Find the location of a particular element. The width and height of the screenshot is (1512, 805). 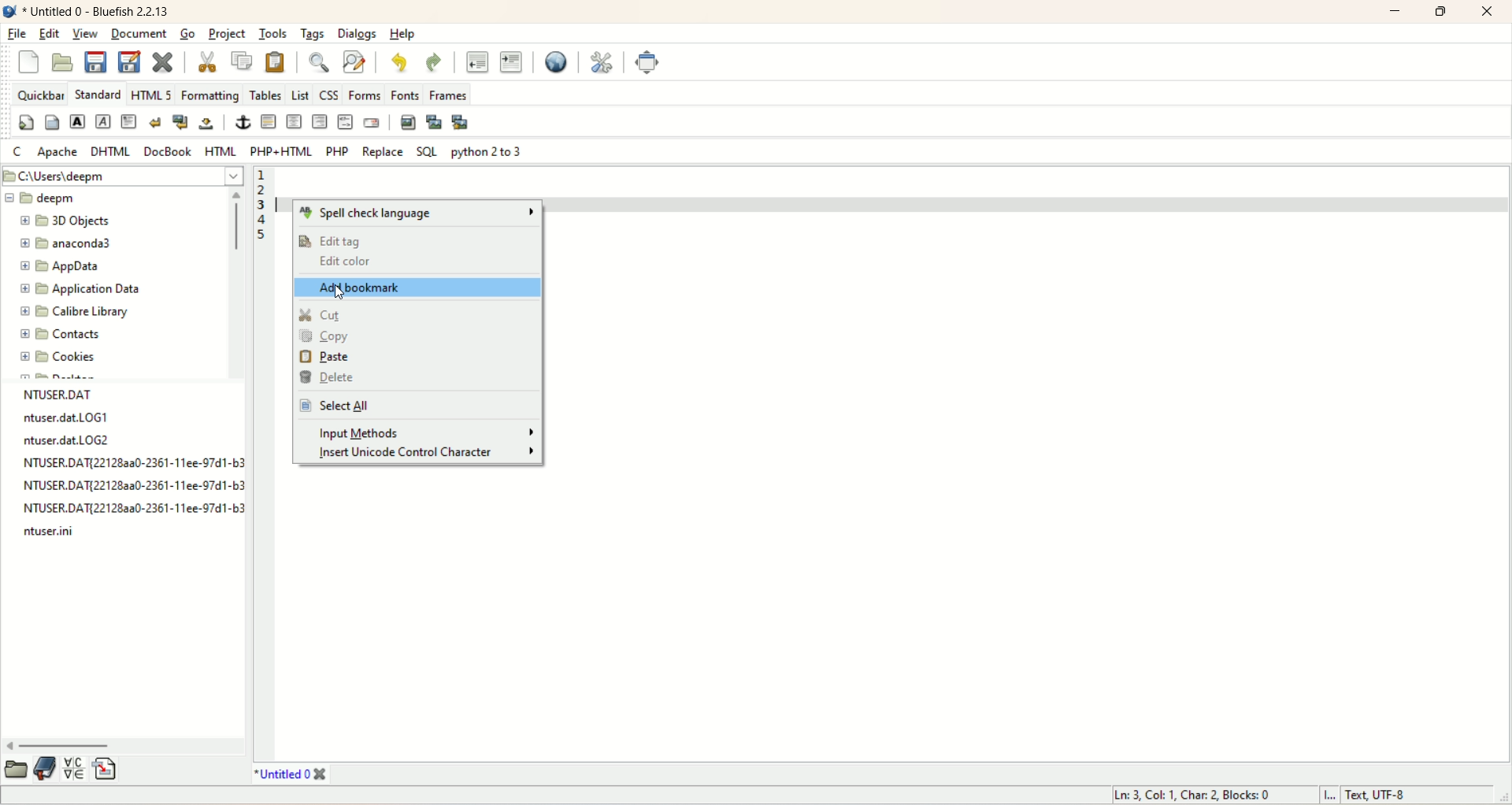

insert file is located at coordinates (108, 768).